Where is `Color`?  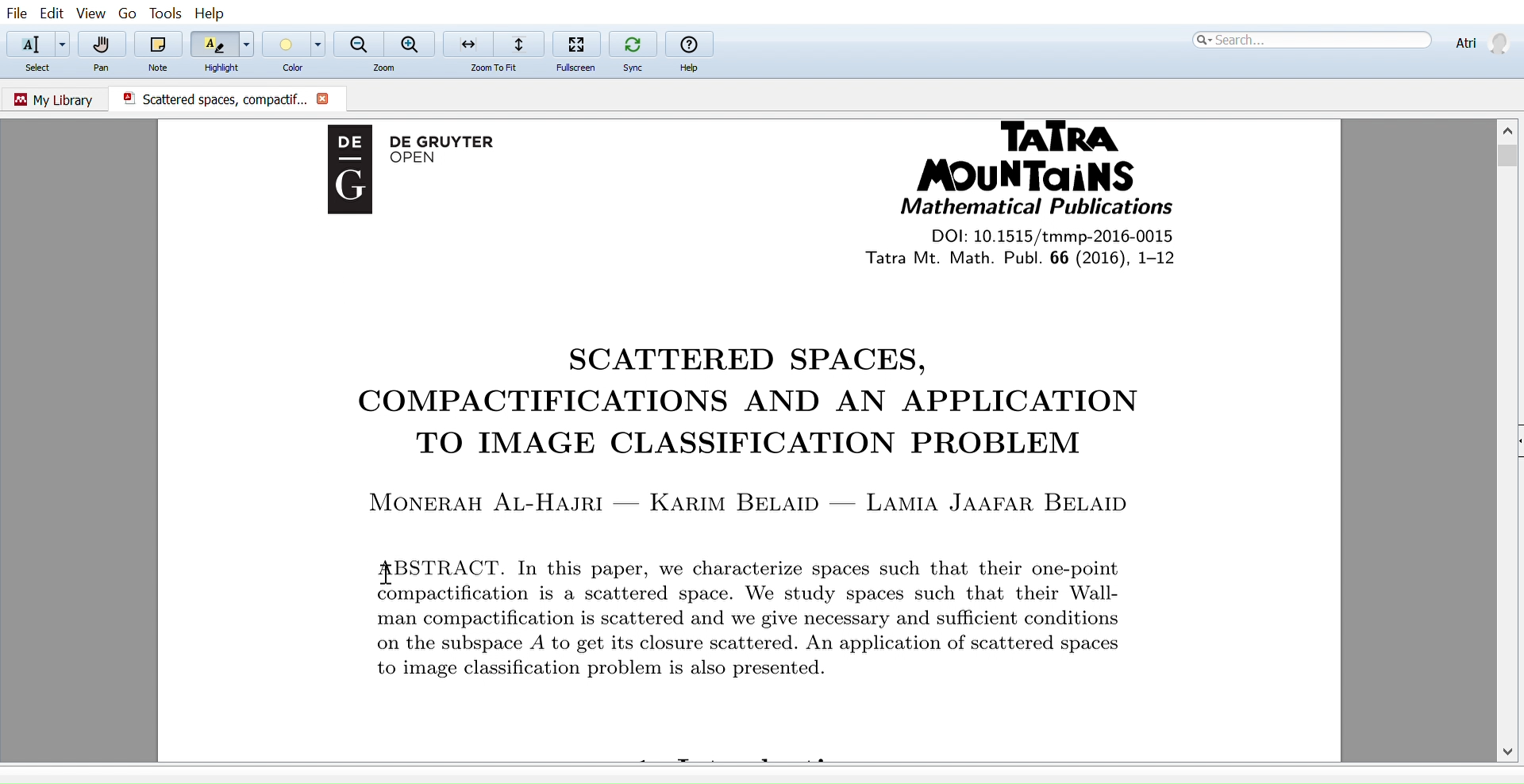
Color is located at coordinates (287, 70).